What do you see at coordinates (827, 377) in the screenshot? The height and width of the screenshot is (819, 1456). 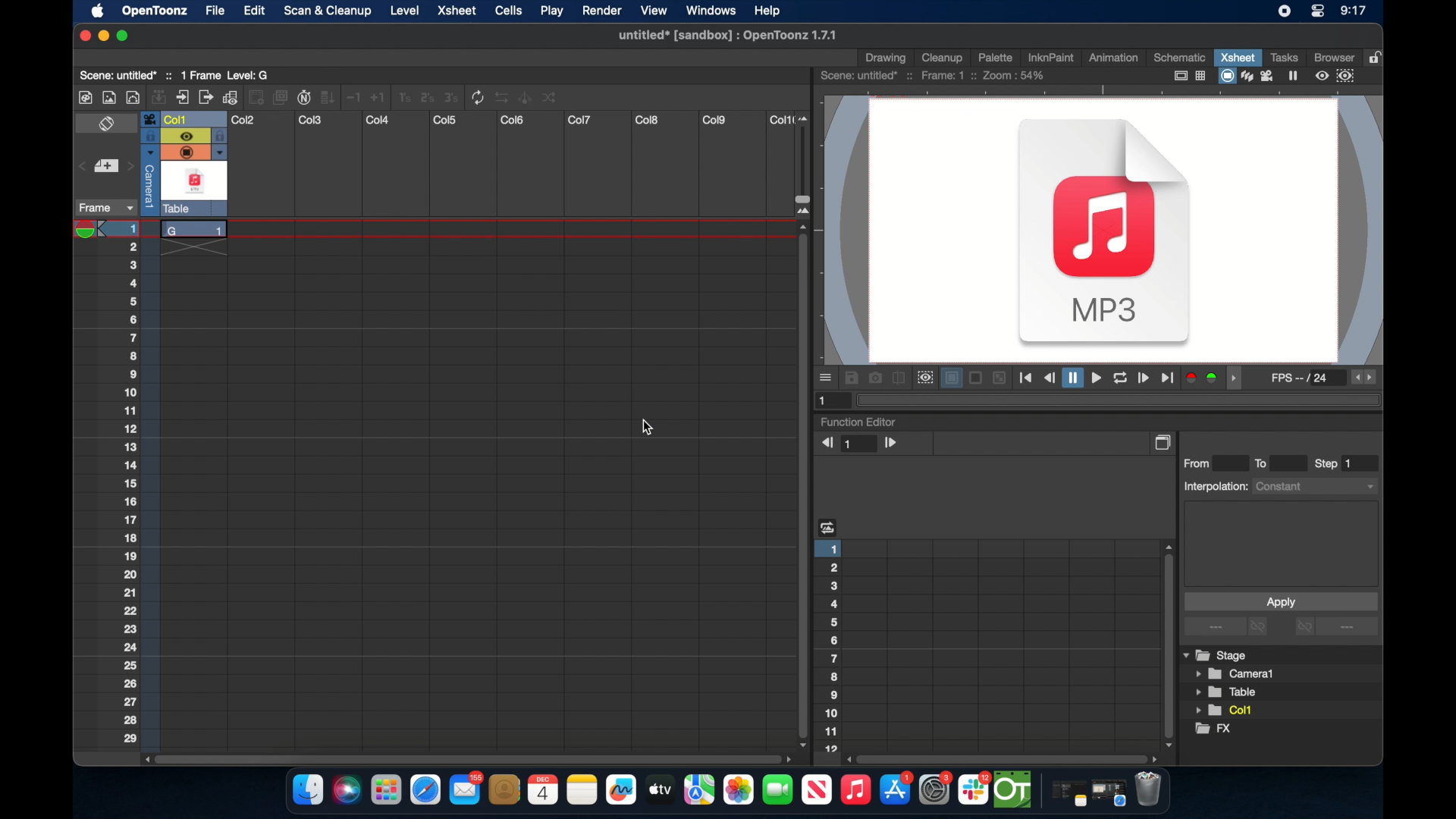 I see `moreoptions` at bounding box center [827, 377].